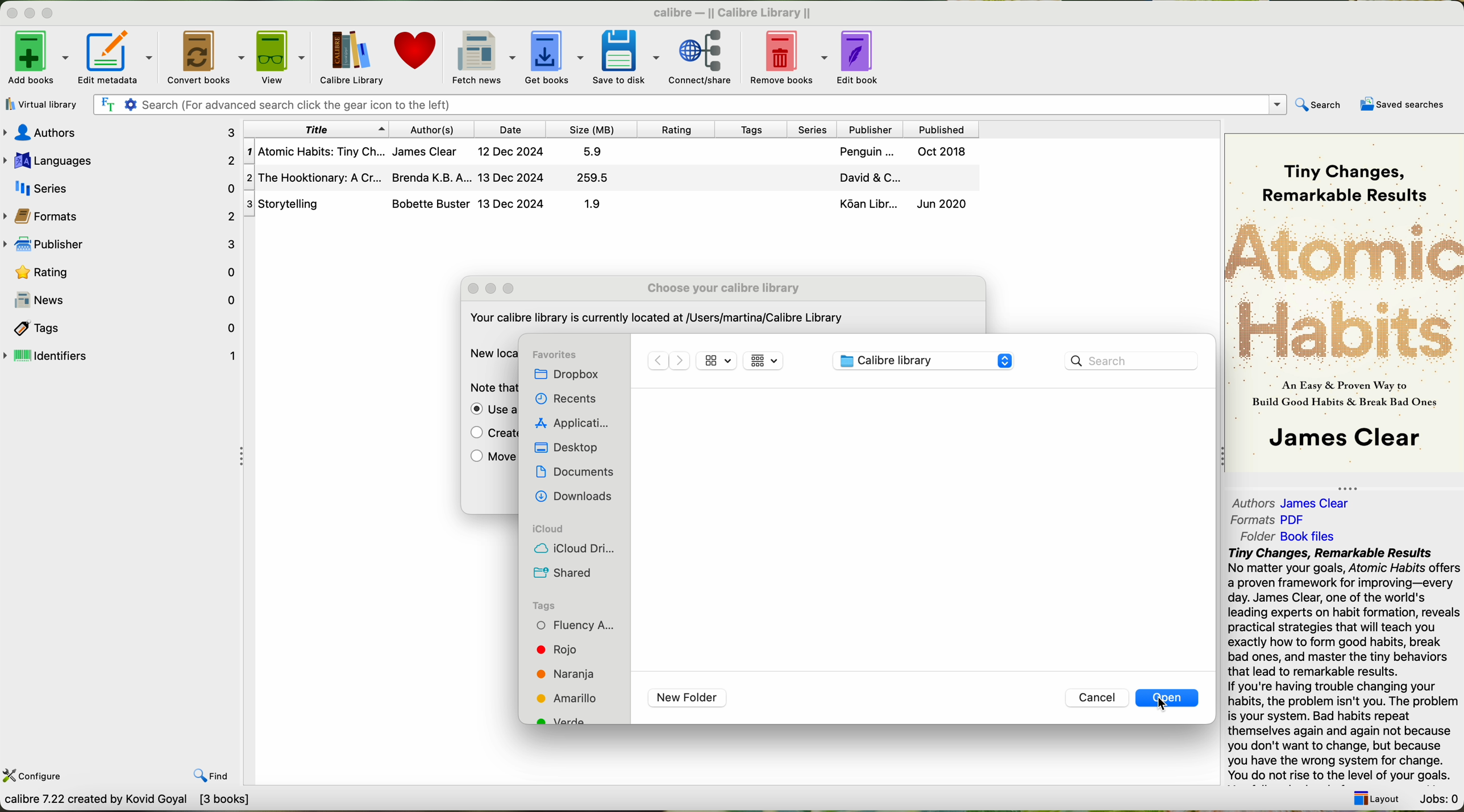 The height and width of the screenshot is (812, 1464). I want to click on previous, so click(659, 361).